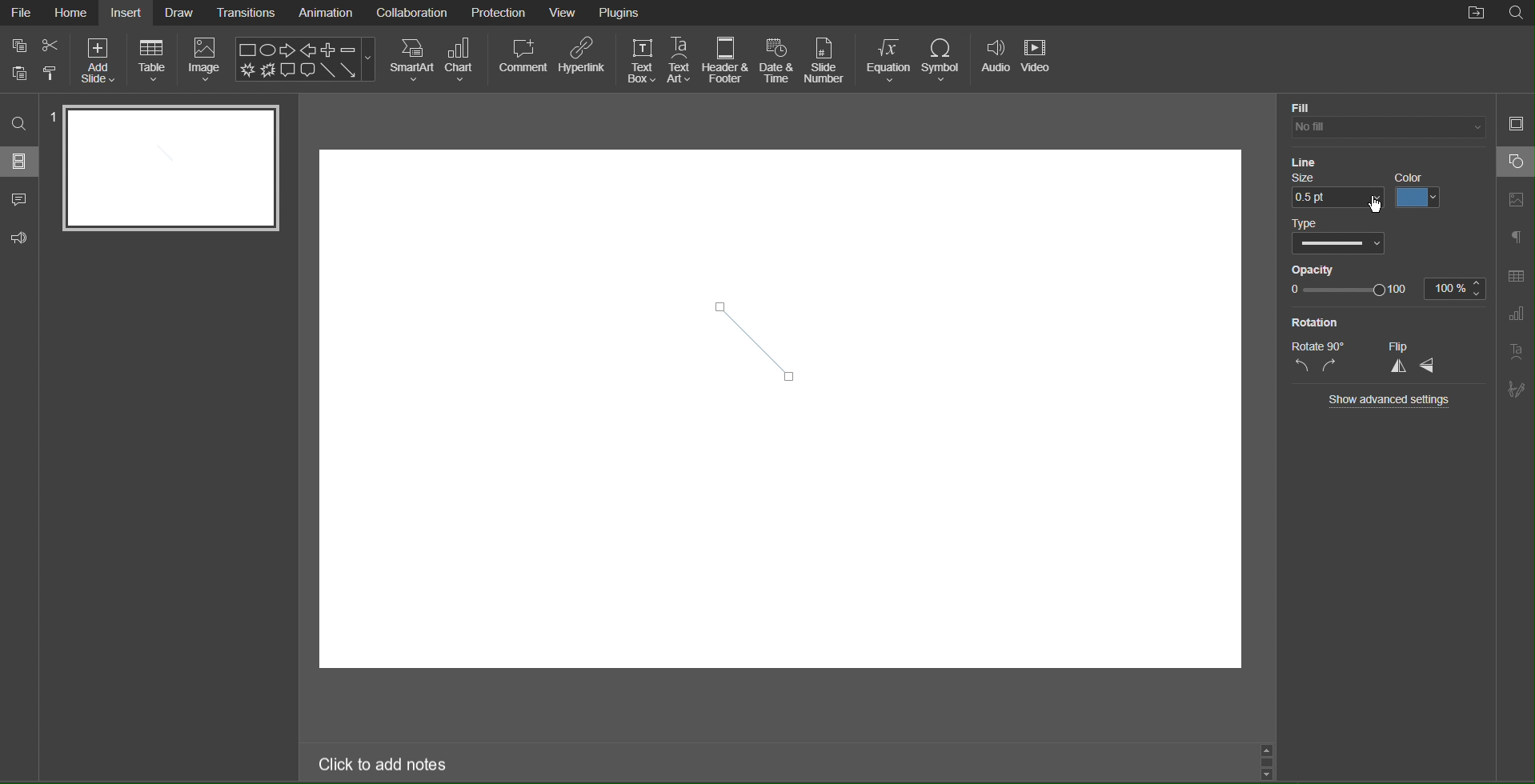 The width and height of the screenshot is (1535, 784). I want to click on Animation, so click(326, 14).